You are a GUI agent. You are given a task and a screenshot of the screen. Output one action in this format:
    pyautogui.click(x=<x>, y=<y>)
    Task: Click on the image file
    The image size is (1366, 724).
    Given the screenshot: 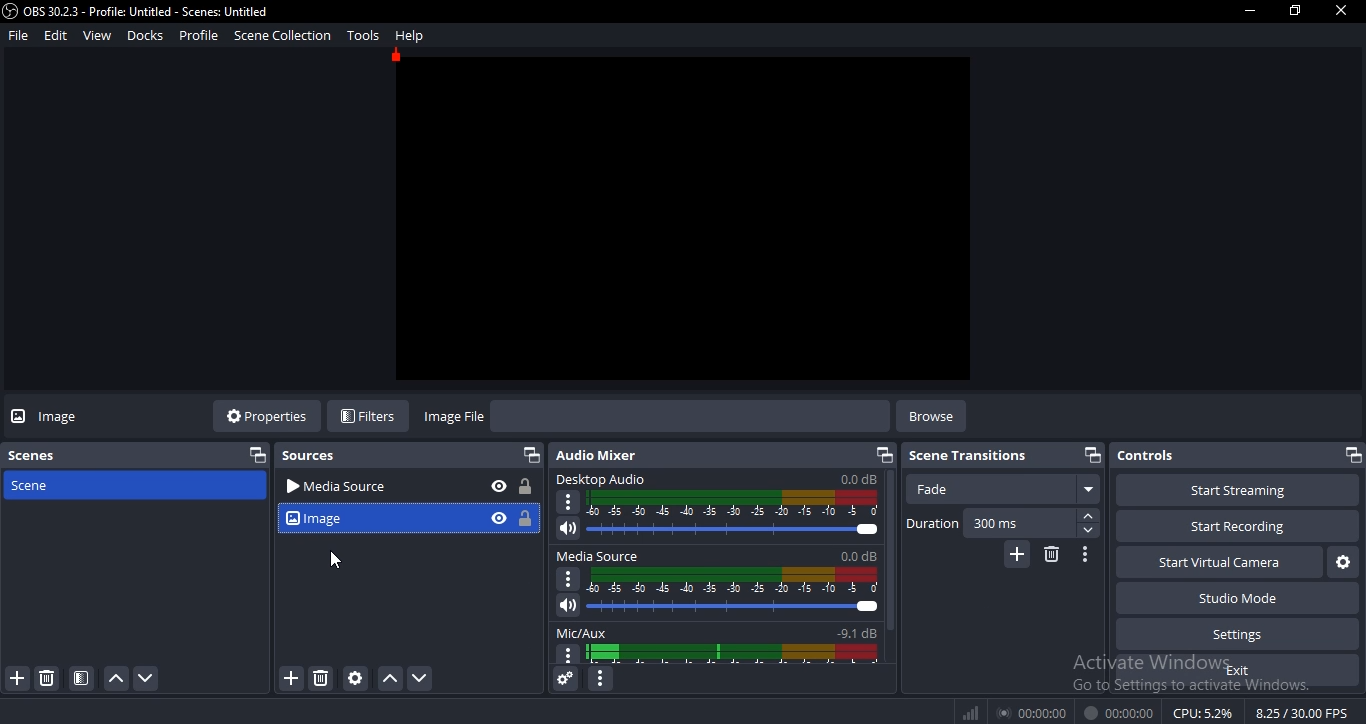 What is the action you would take?
    pyautogui.click(x=452, y=417)
    